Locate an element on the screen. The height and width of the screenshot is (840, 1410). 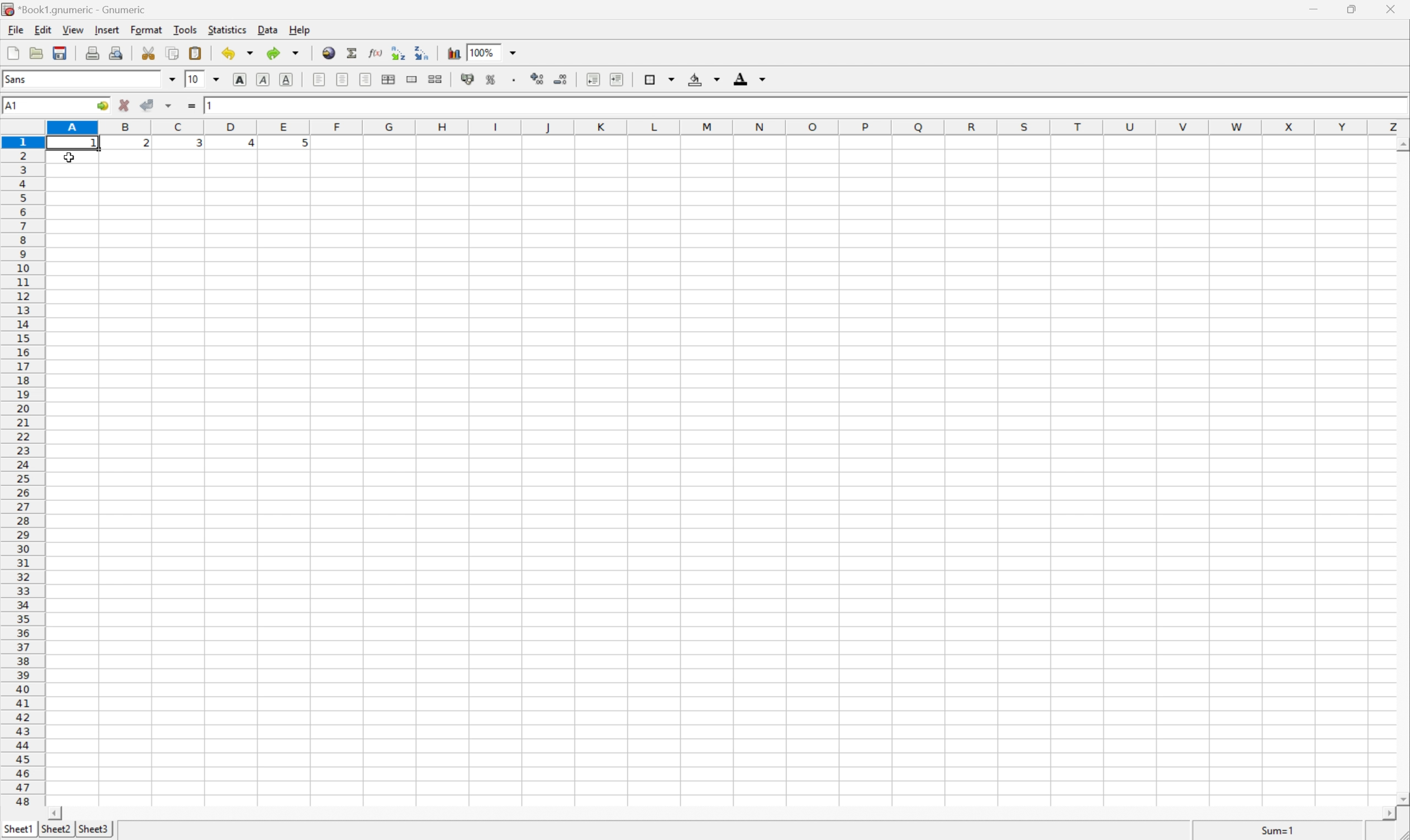
scroll down is located at coordinates (1401, 794).